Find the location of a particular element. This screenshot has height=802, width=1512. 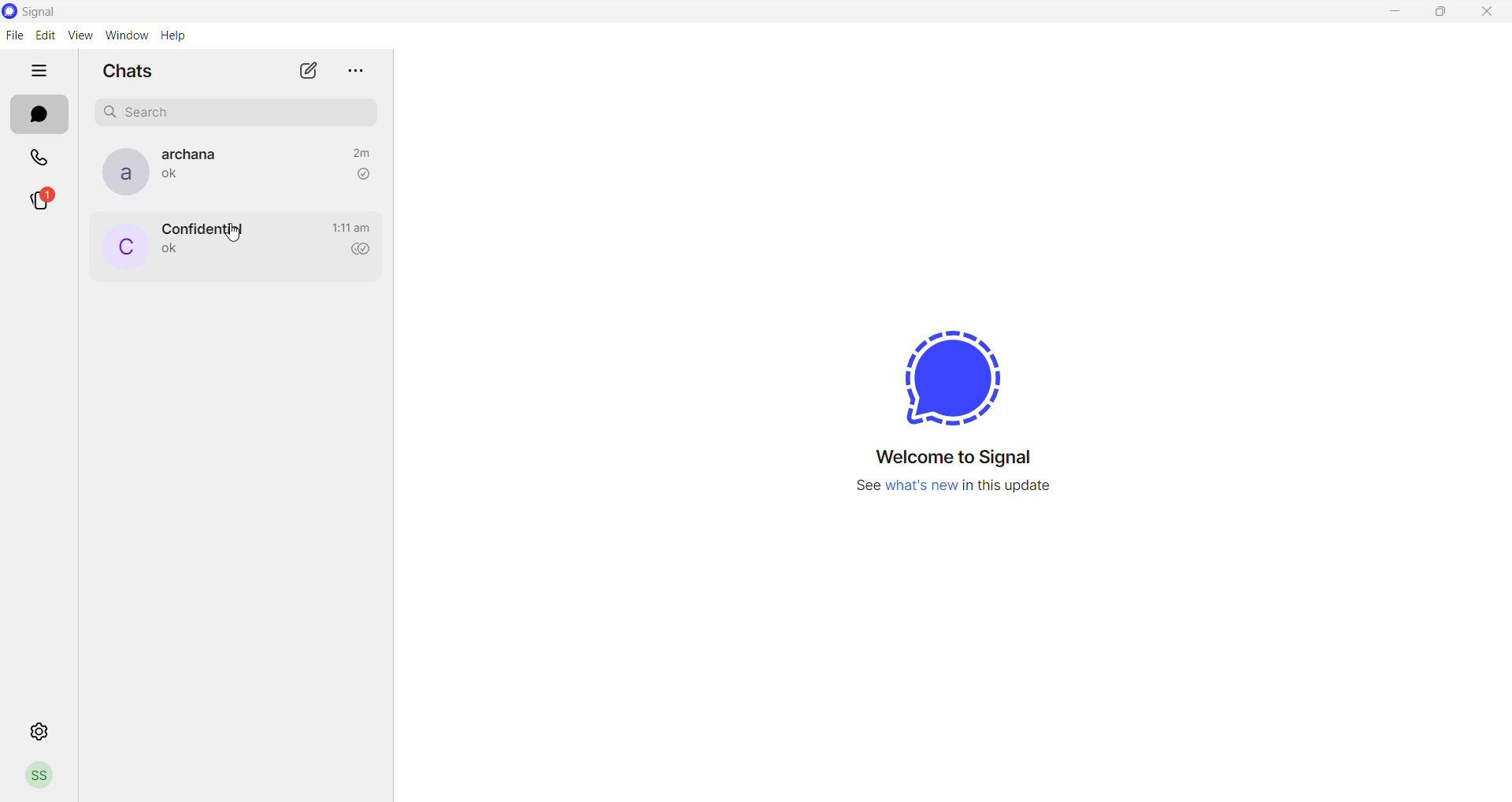

settings is located at coordinates (39, 732).